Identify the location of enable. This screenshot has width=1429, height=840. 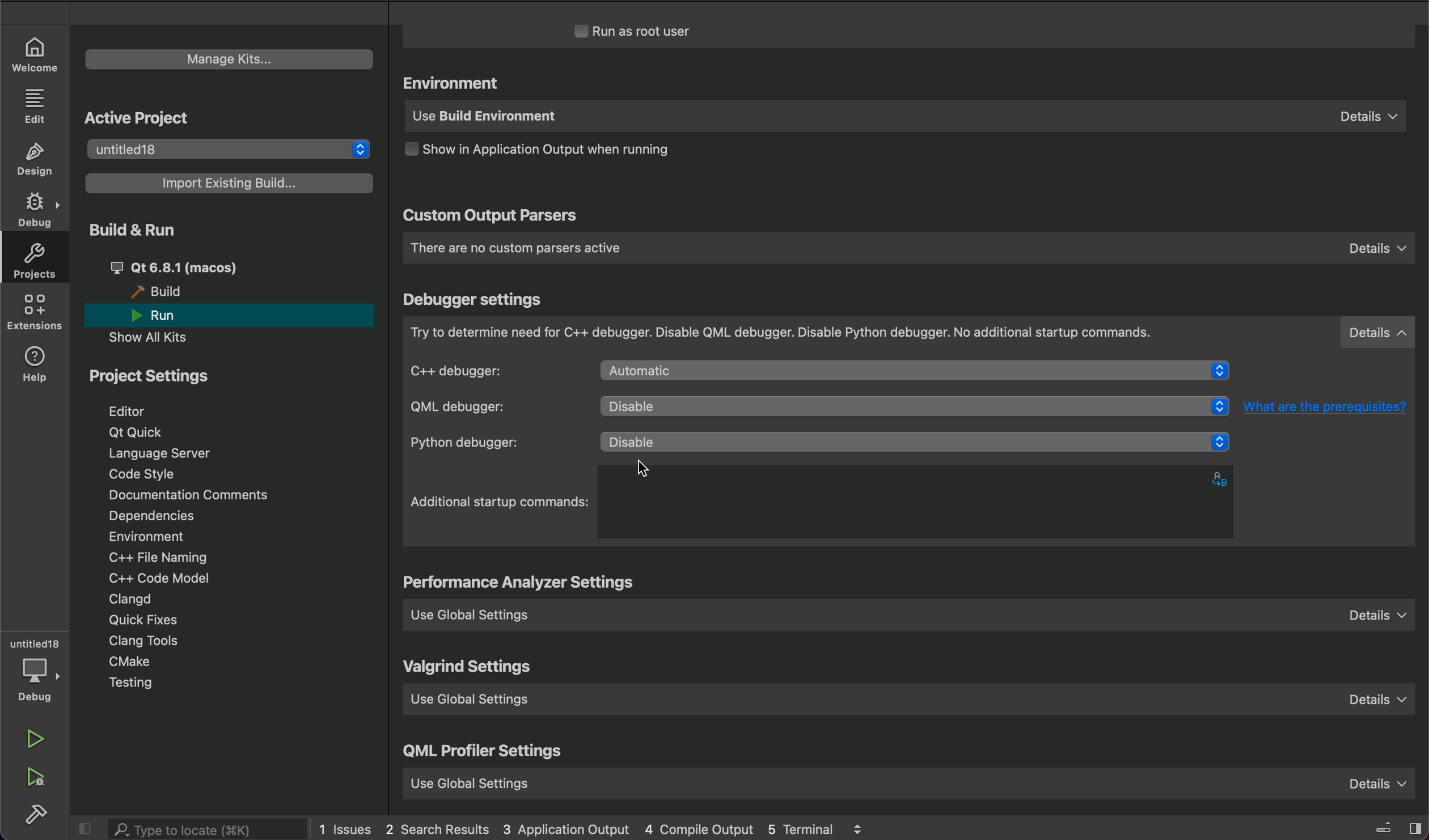
(905, 440).